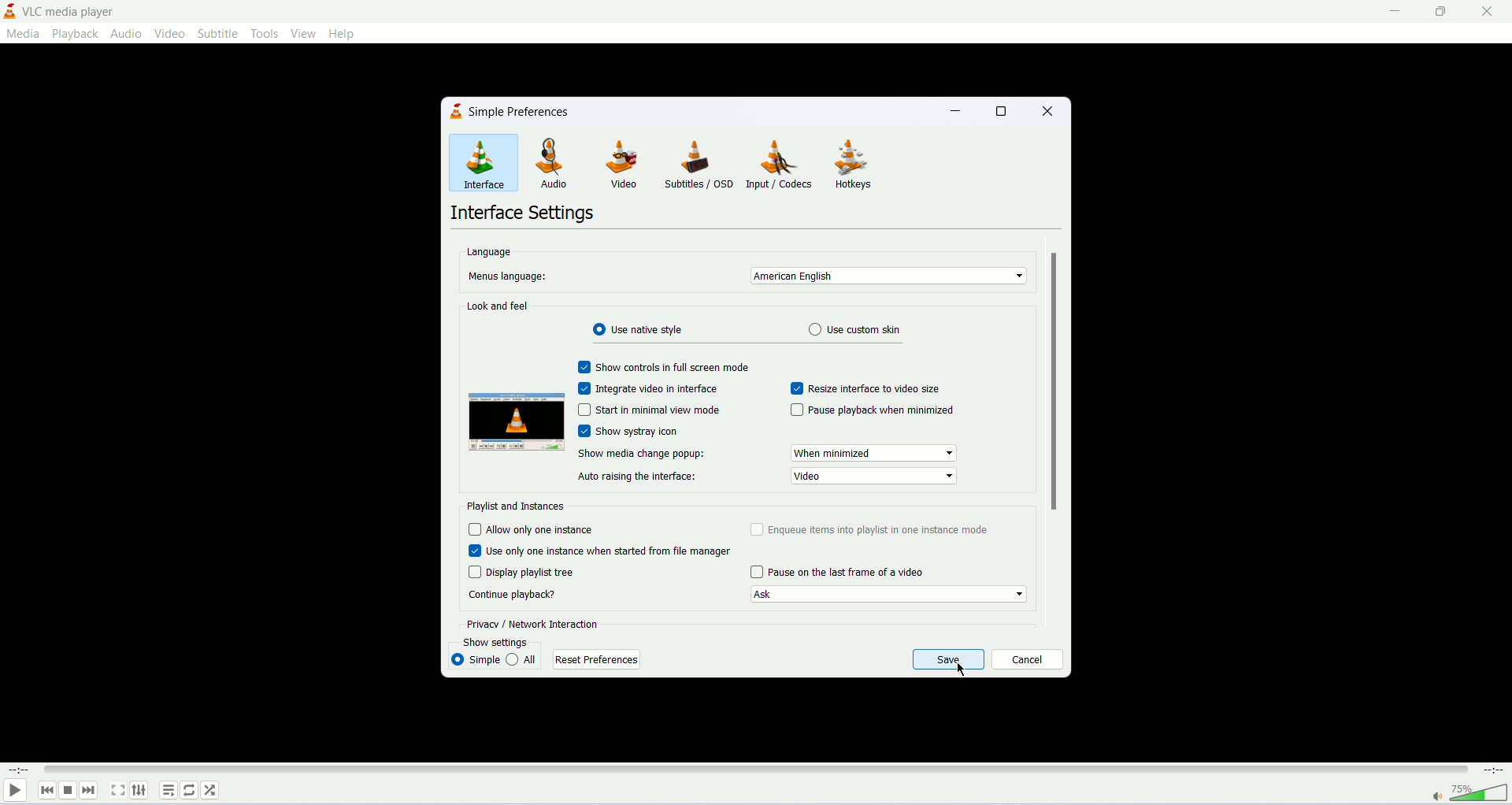 The width and height of the screenshot is (1512, 805). What do you see at coordinates (1052, 380) in the screenshot?
I see `scroll bar` at bounding box center [1052, 380].